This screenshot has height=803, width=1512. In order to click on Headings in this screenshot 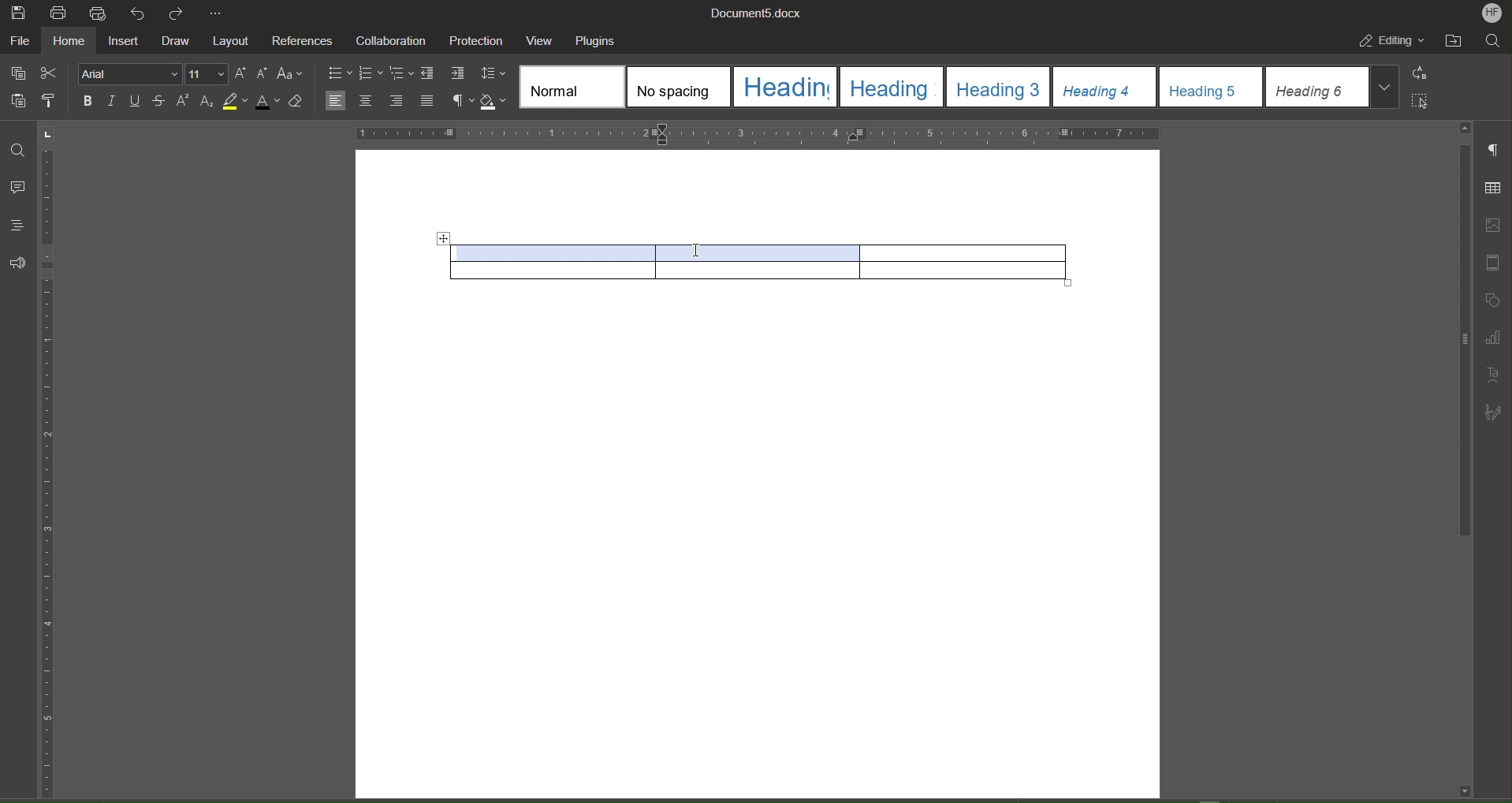, I will do `click(18, 223)`.